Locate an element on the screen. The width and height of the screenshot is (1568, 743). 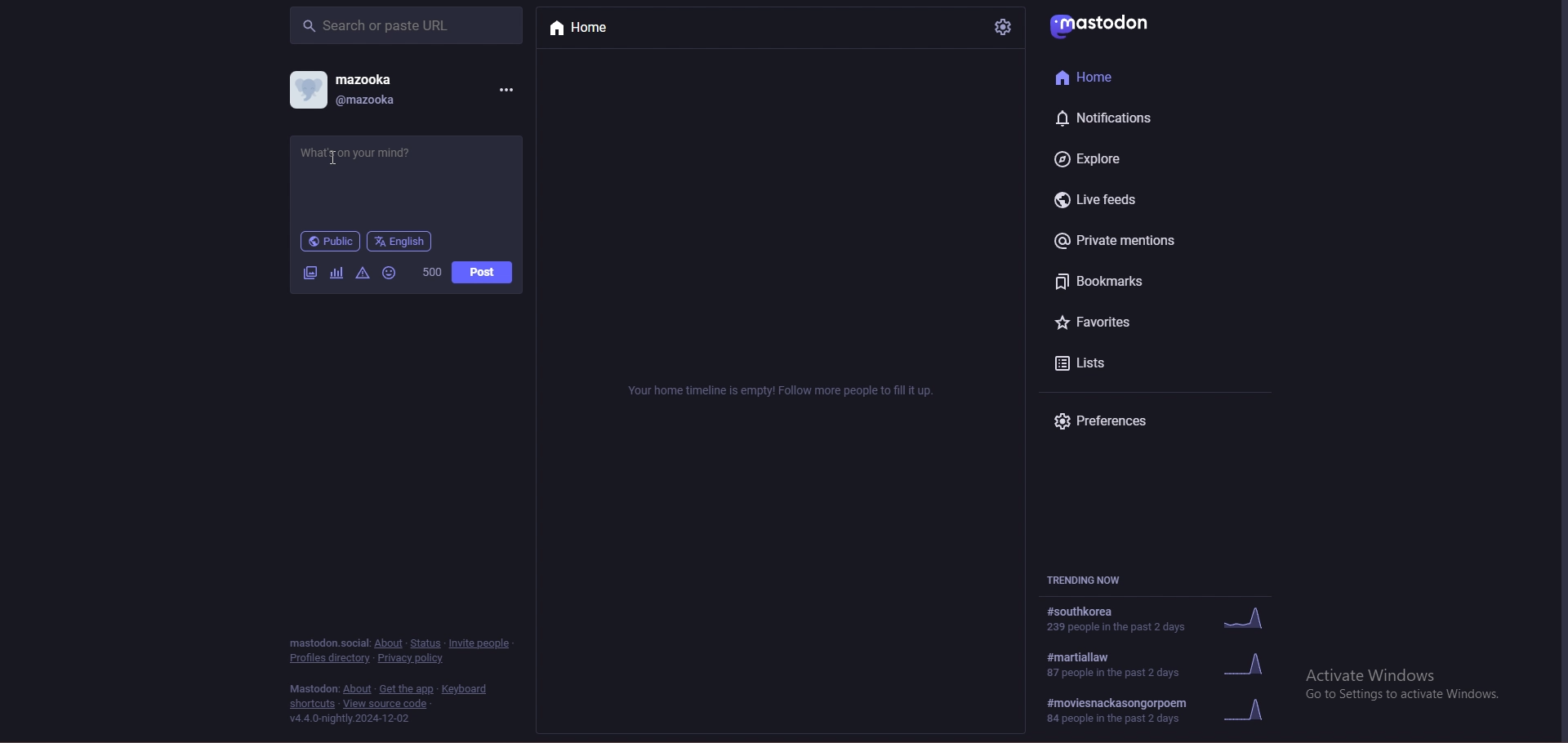
mazooka is located at coordinates (370, 78).